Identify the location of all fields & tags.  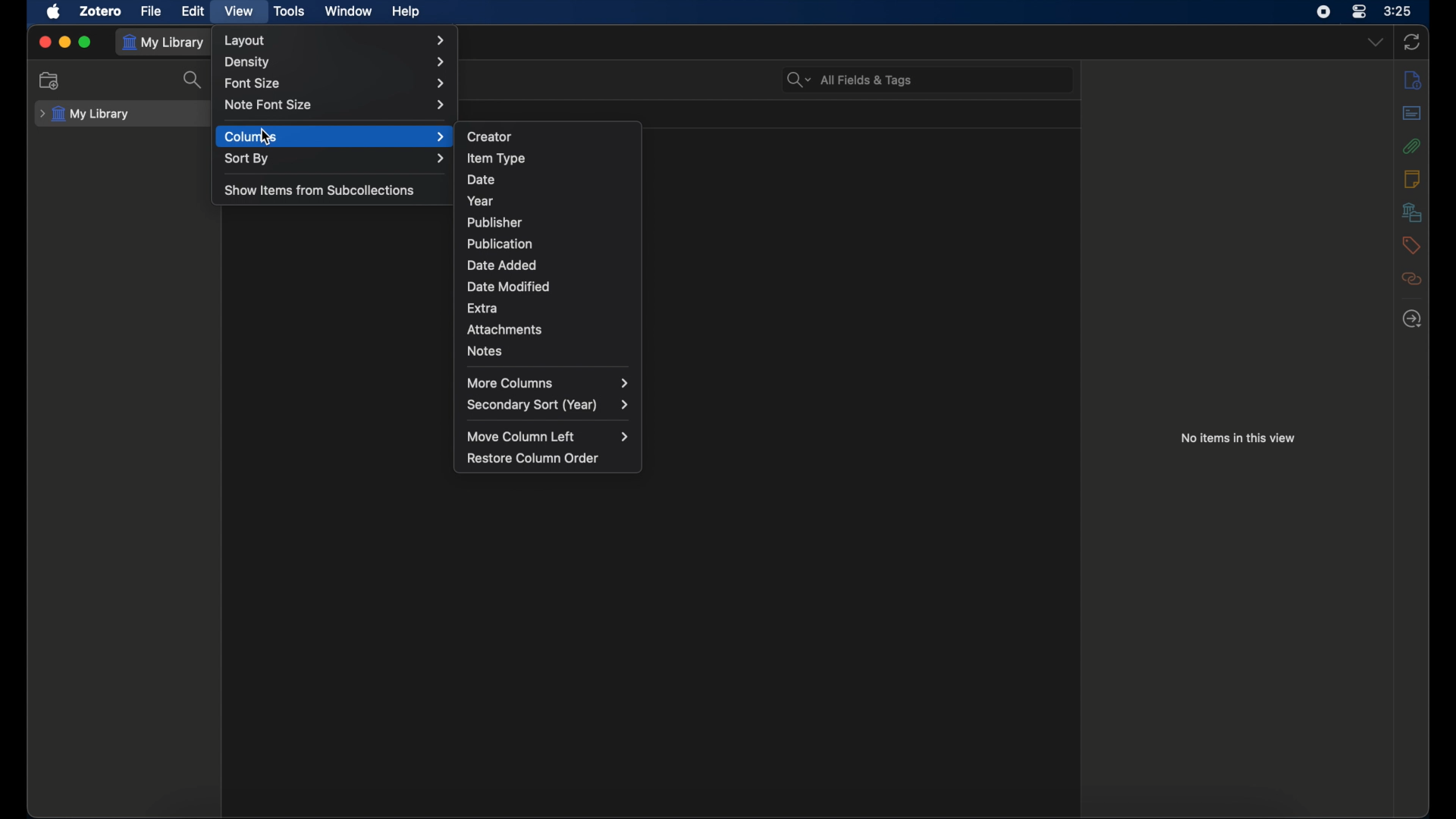
(849, 80).